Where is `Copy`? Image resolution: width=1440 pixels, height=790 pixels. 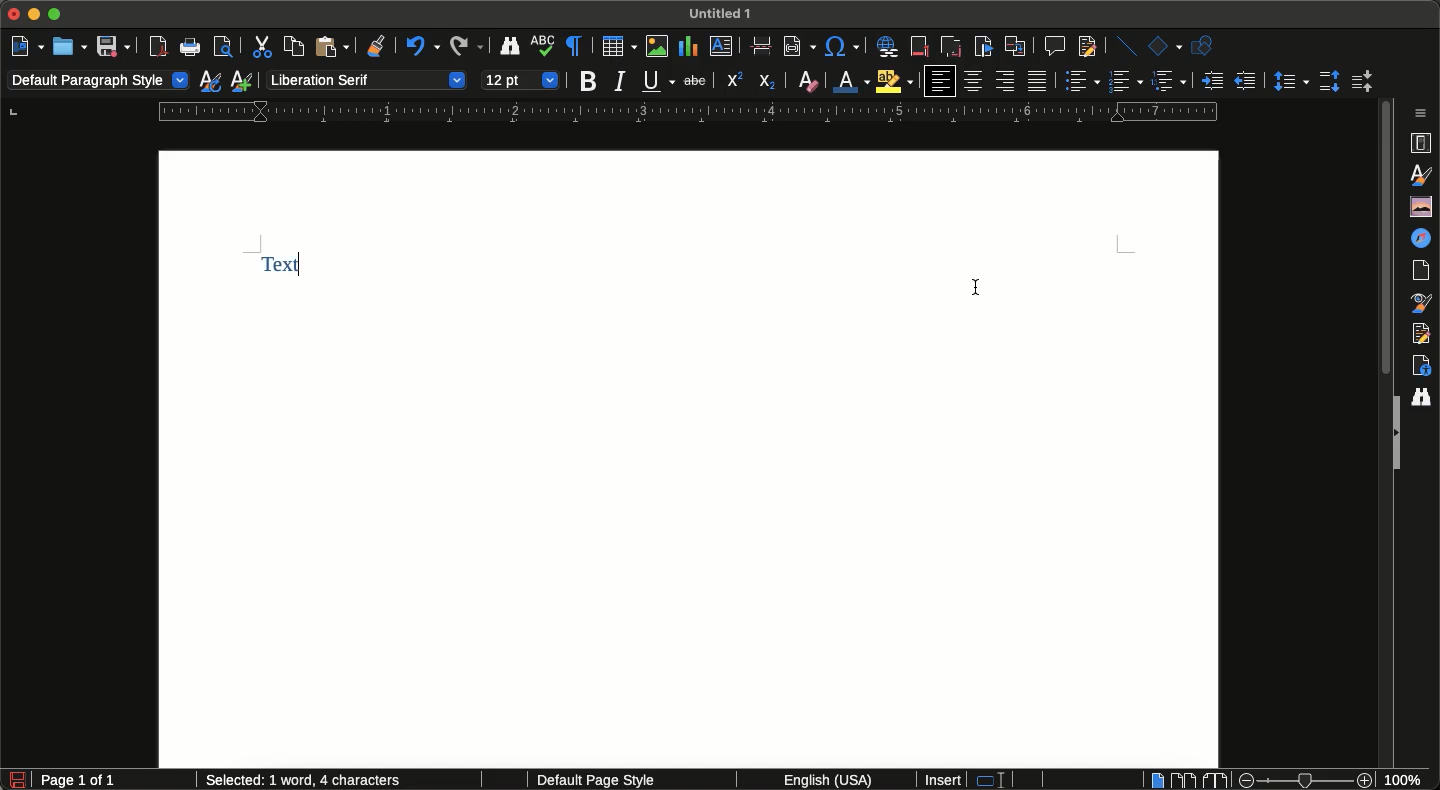 Copy is located at coordinates (291, 46).